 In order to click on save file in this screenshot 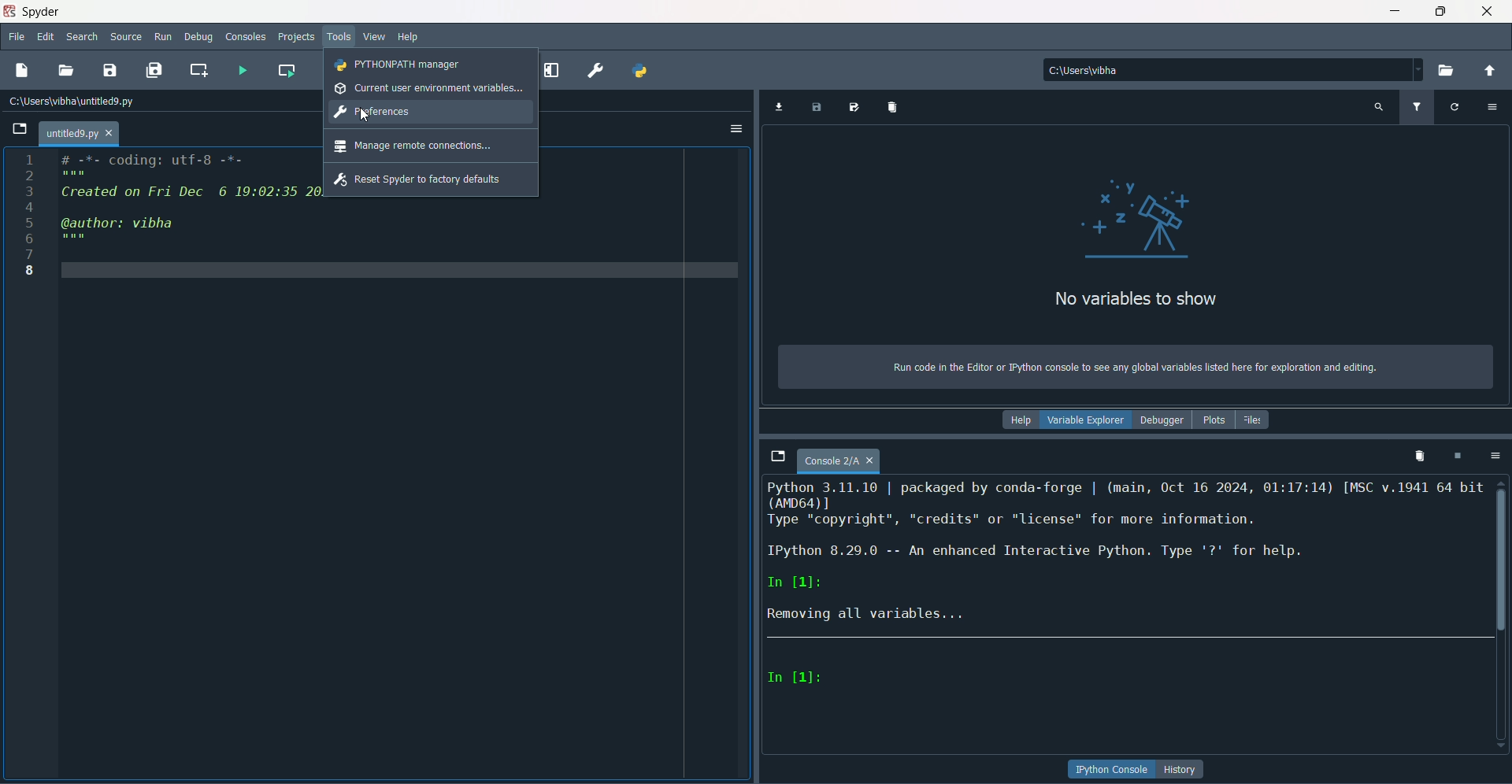, I will do `click(110, 69)`.